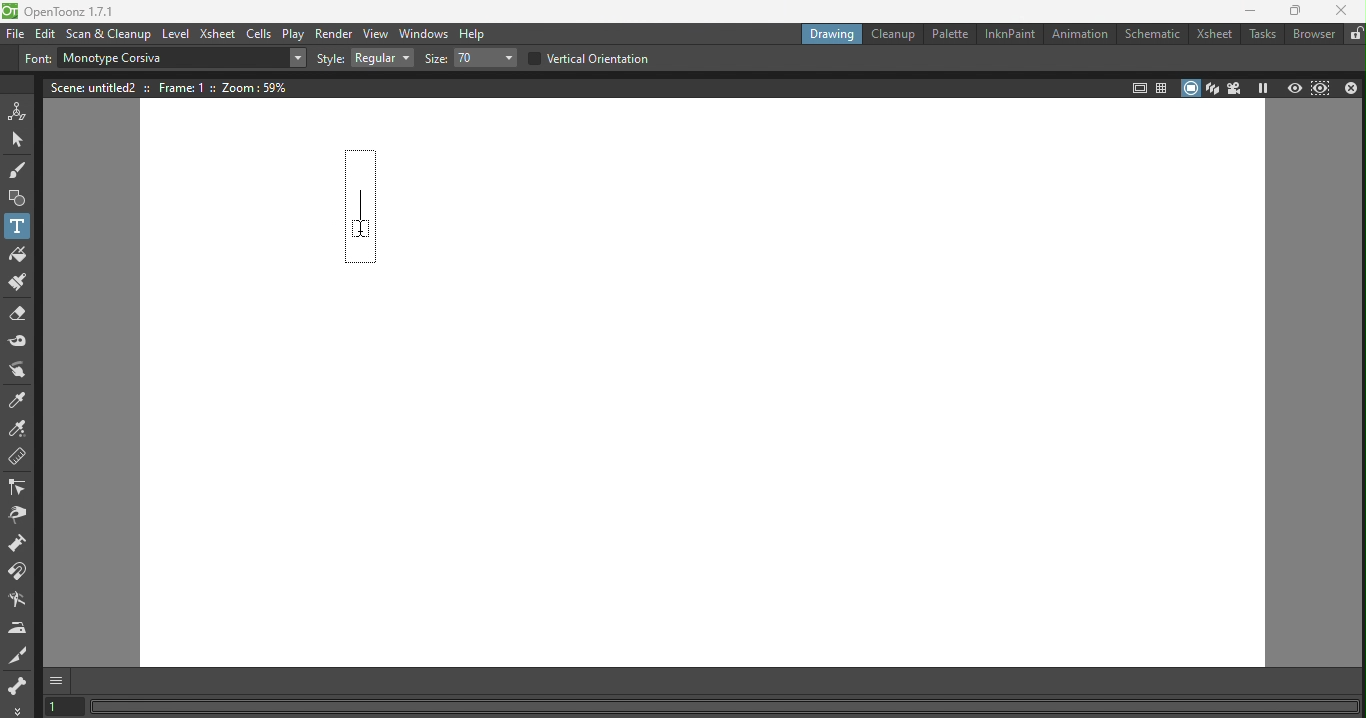 The height and width of the screenshot is (718, 1366). I want to click on Xsheet, so click(219, 34).